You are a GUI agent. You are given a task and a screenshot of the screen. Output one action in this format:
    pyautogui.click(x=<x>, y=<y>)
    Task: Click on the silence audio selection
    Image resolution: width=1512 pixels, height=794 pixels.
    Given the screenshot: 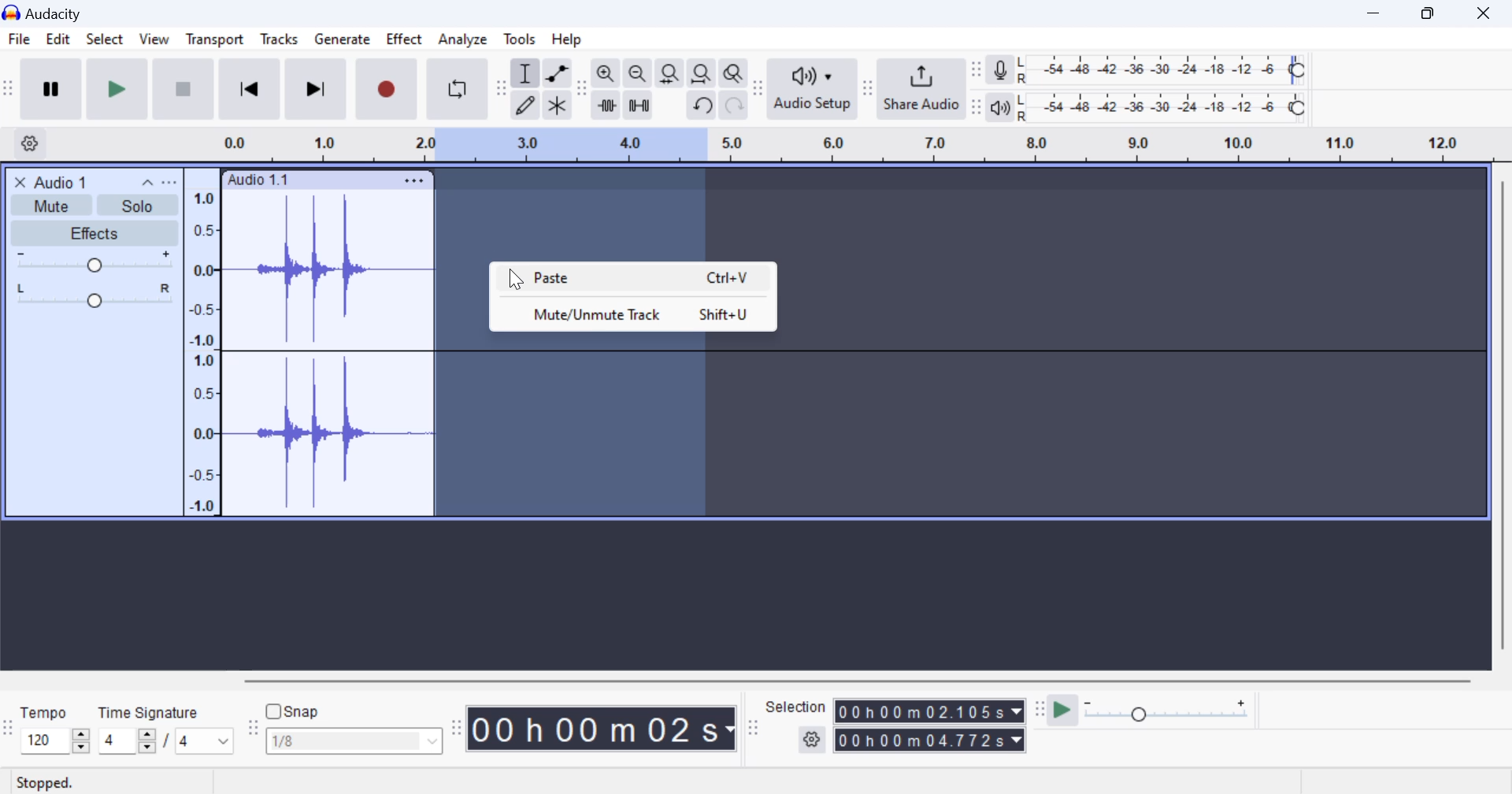 What is the action you would take?
    pyautogui.click(x=639, y=106)
    